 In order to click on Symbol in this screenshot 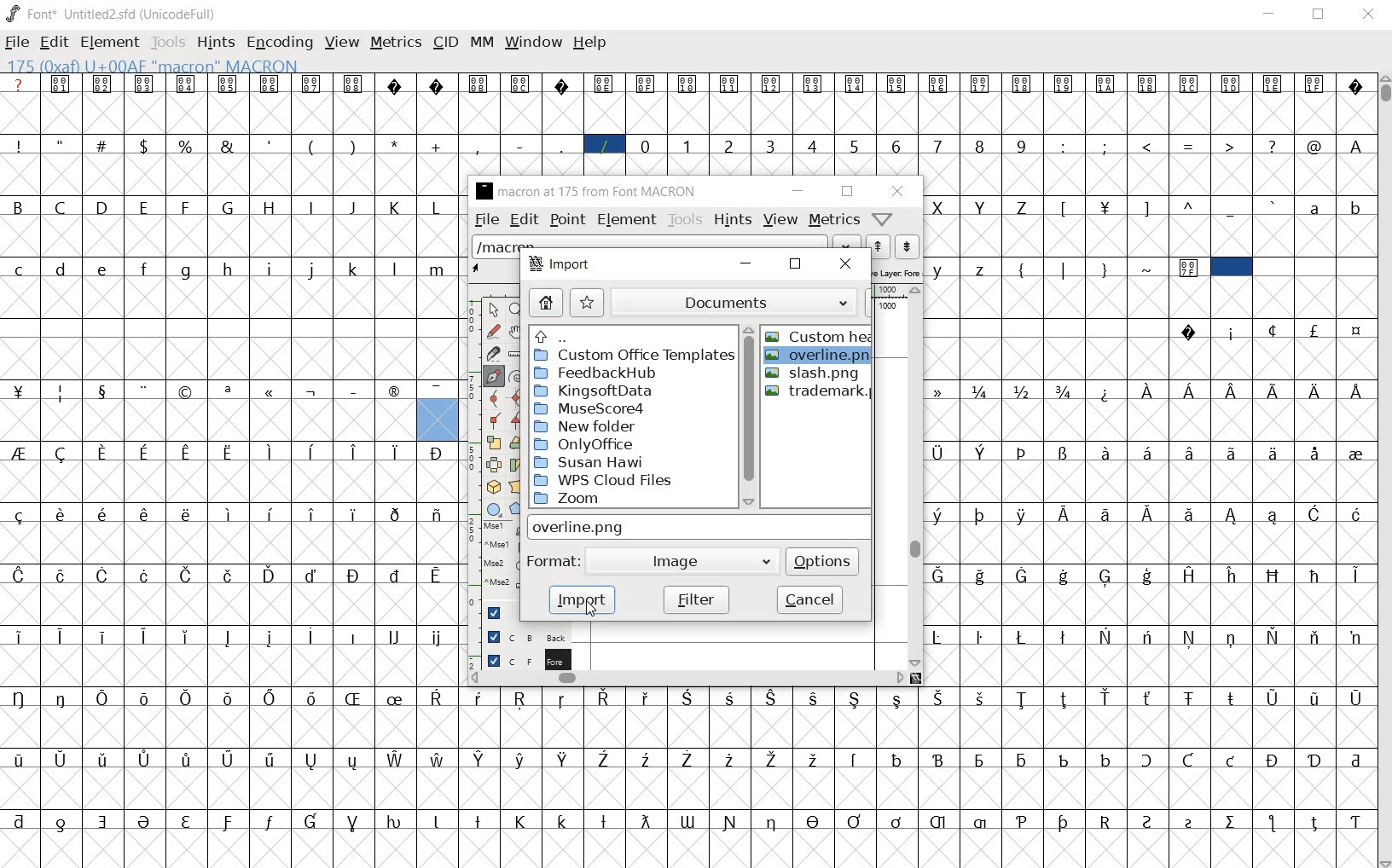, I will do `click(353, 819)`.